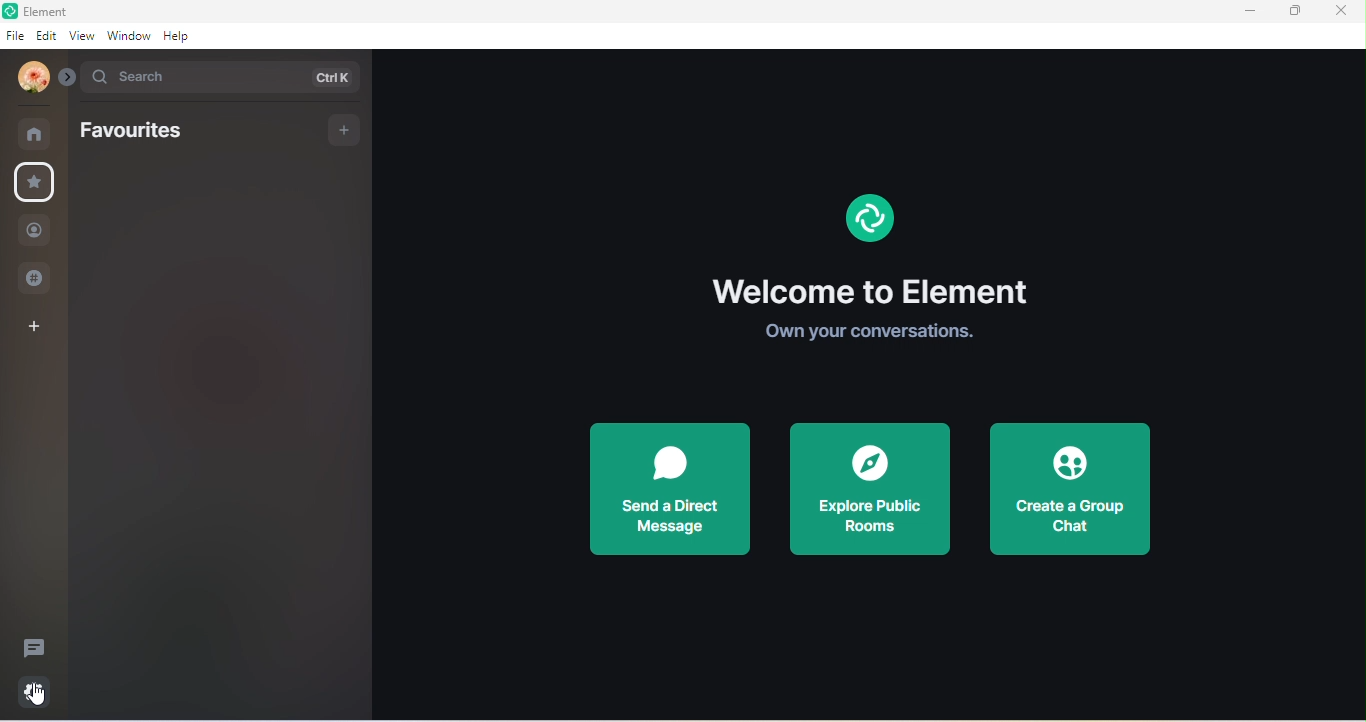 The height and width of the screenshot is (722, 1366). What do you see at coordinates (864, 333) in the screenshot?
I see `Own your conversations.` at bounding box center [864, 333].